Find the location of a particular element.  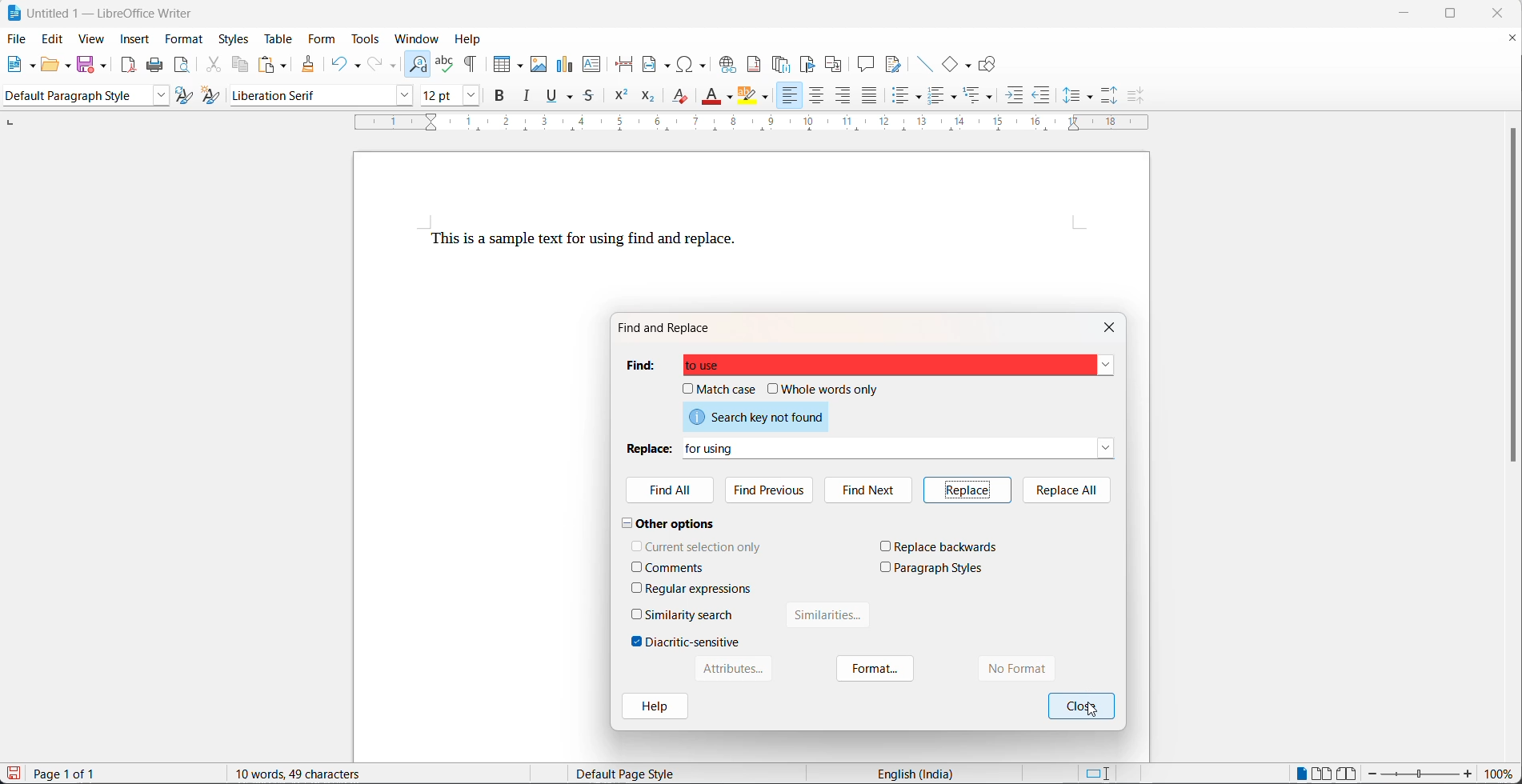

superscript is located at coordinates (620, 99).